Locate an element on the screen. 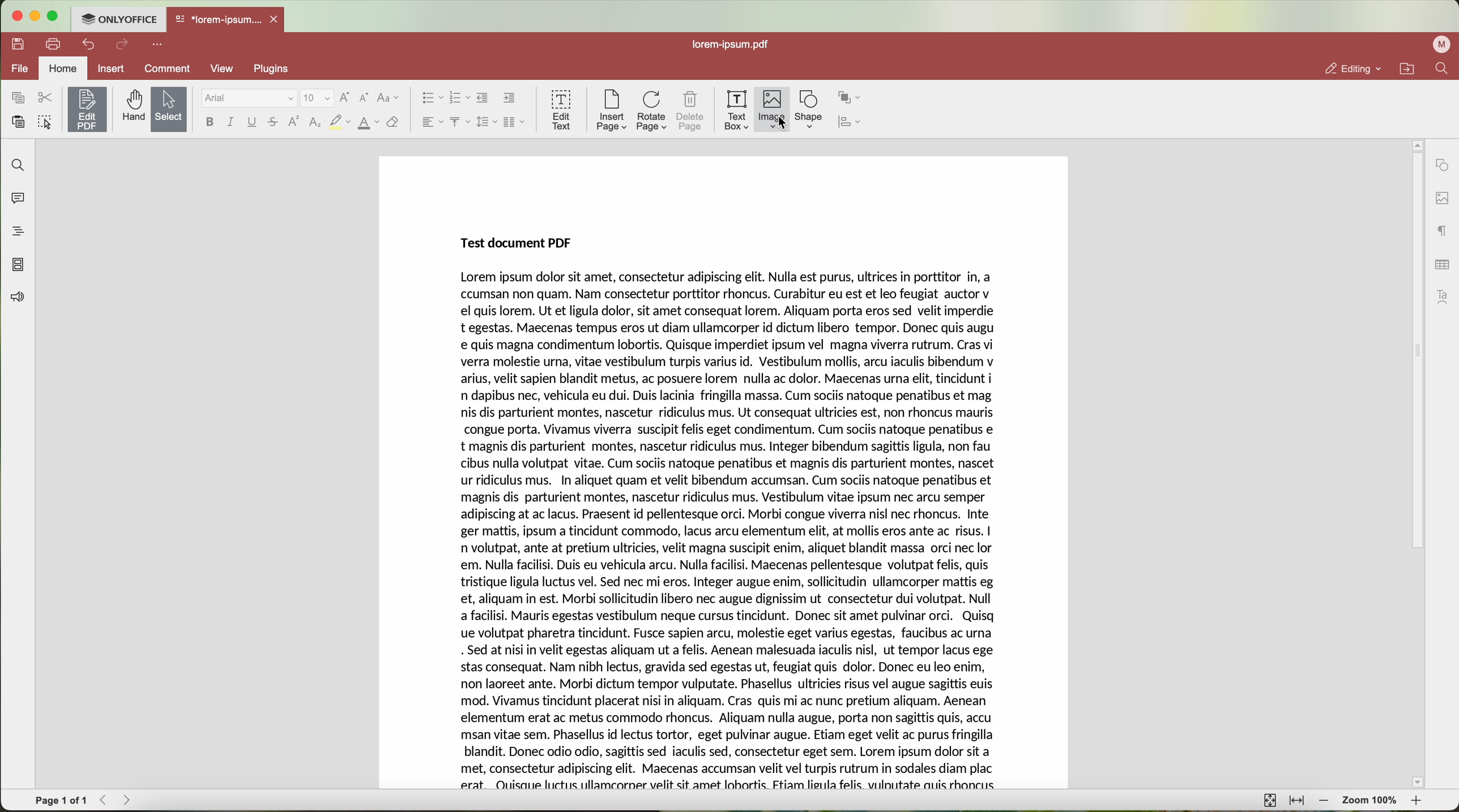  redo is located at coordinates (122, 45).